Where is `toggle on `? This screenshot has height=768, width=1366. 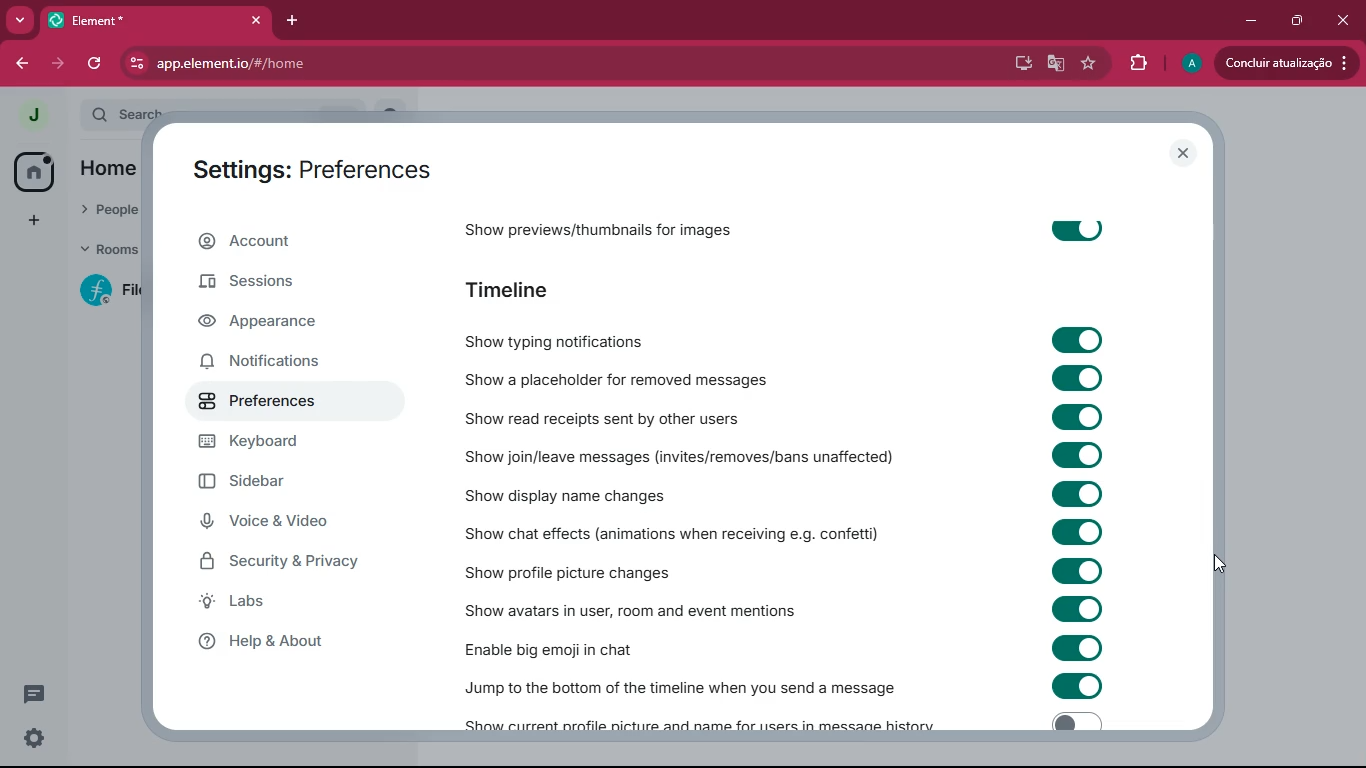 toggle on  is located at coordinates (1083, 341).